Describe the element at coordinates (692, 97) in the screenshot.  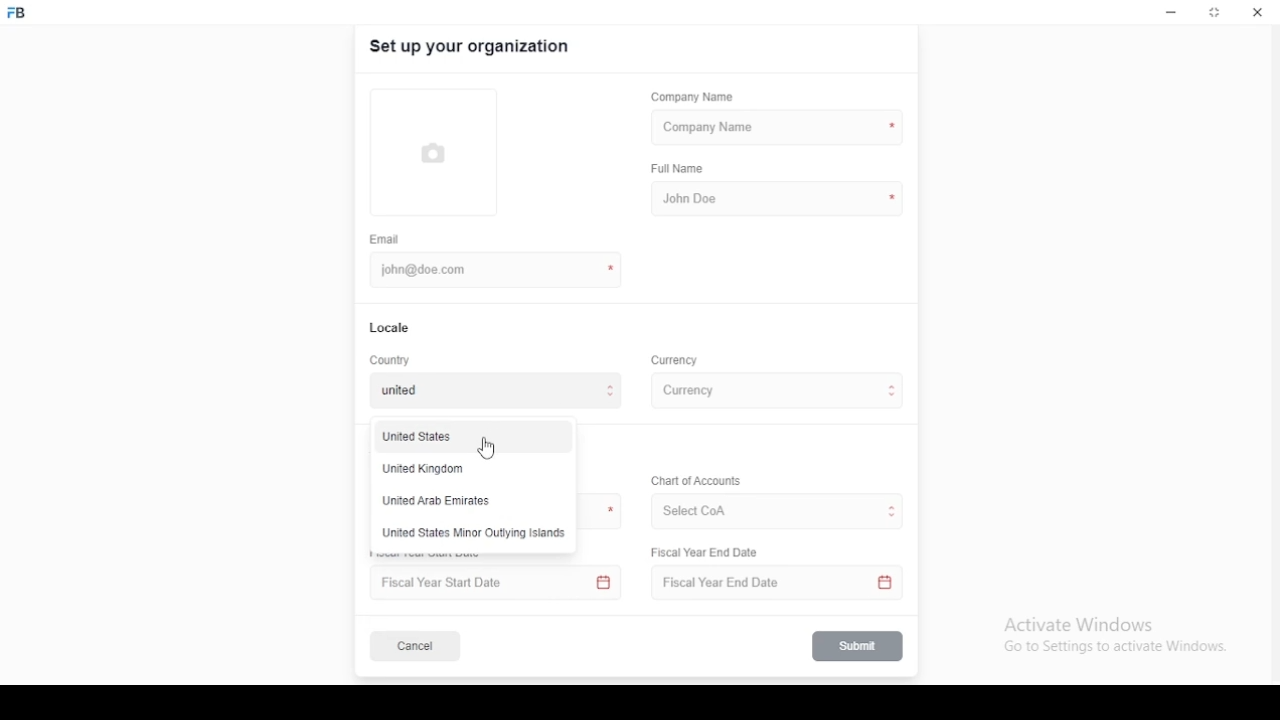
I see `company name` at that location.